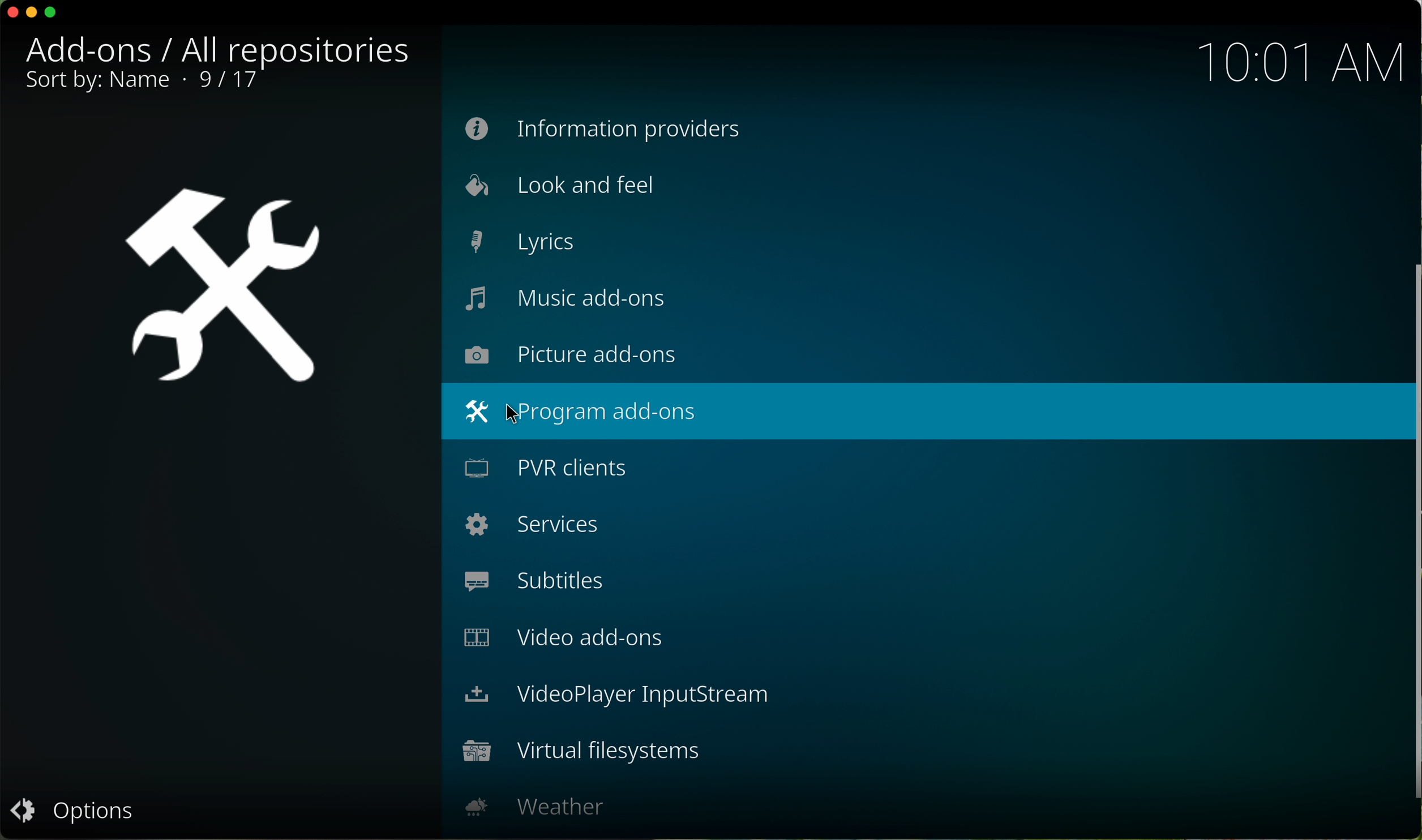  What do you see at coordinates (220, 288) in the screenshot?
I see `settings icon` at bounding box center [220, 288].